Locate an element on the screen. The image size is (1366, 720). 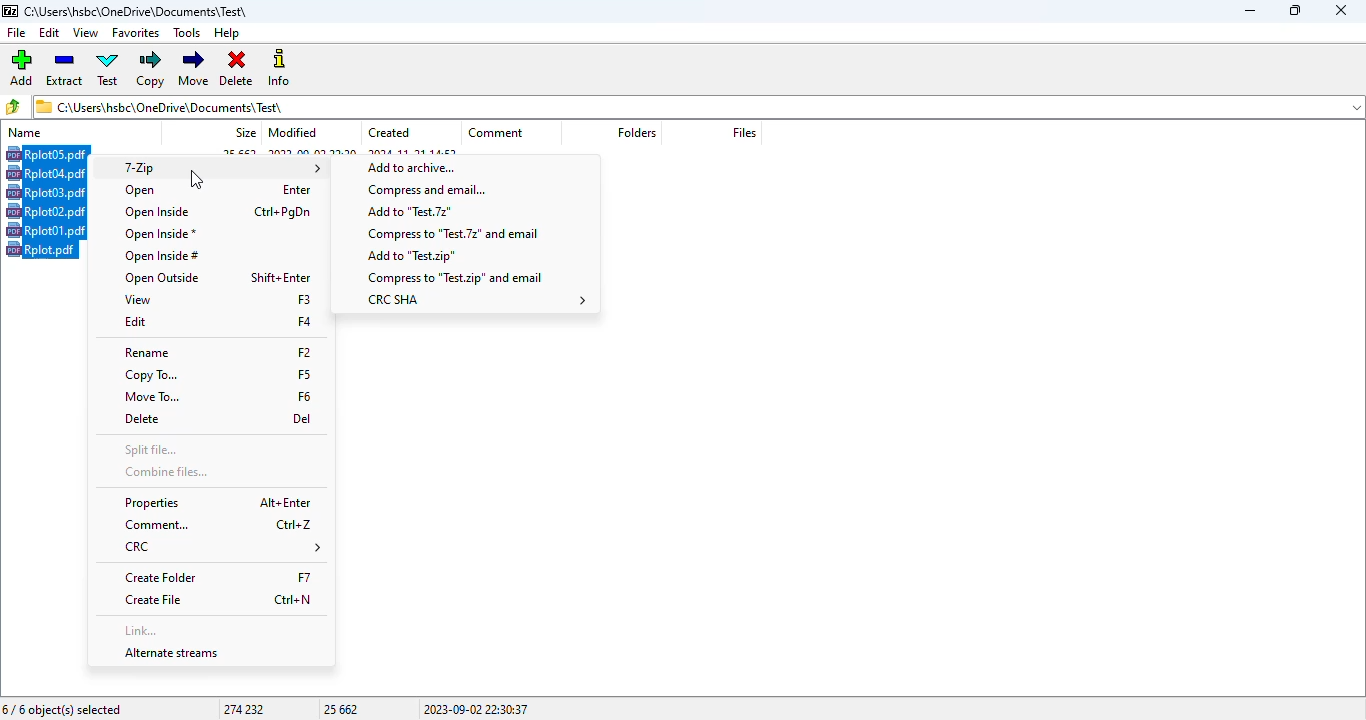
open inside is located at coordinates (219, 212).